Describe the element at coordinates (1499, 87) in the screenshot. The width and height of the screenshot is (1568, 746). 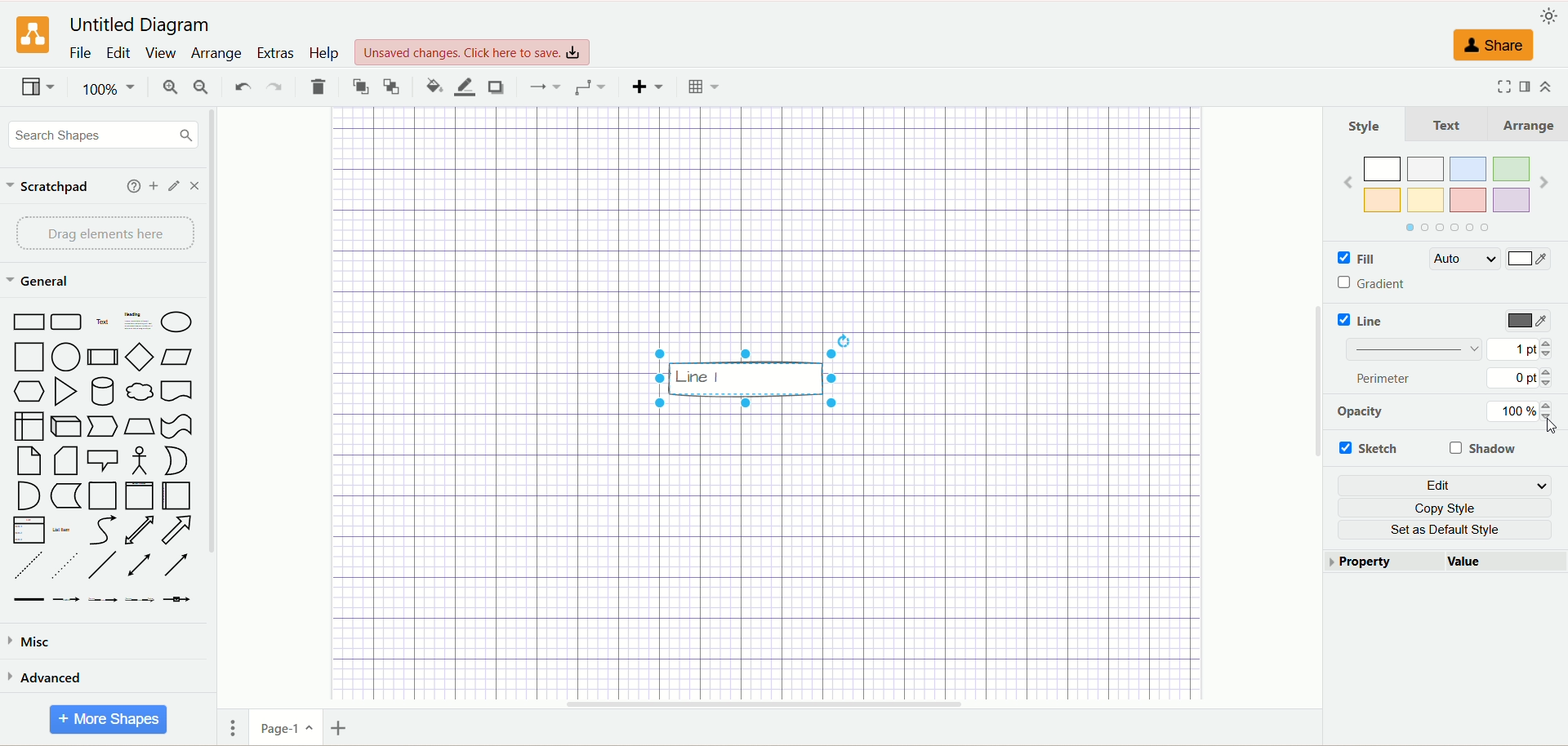
I see `fullscreen` at that location.